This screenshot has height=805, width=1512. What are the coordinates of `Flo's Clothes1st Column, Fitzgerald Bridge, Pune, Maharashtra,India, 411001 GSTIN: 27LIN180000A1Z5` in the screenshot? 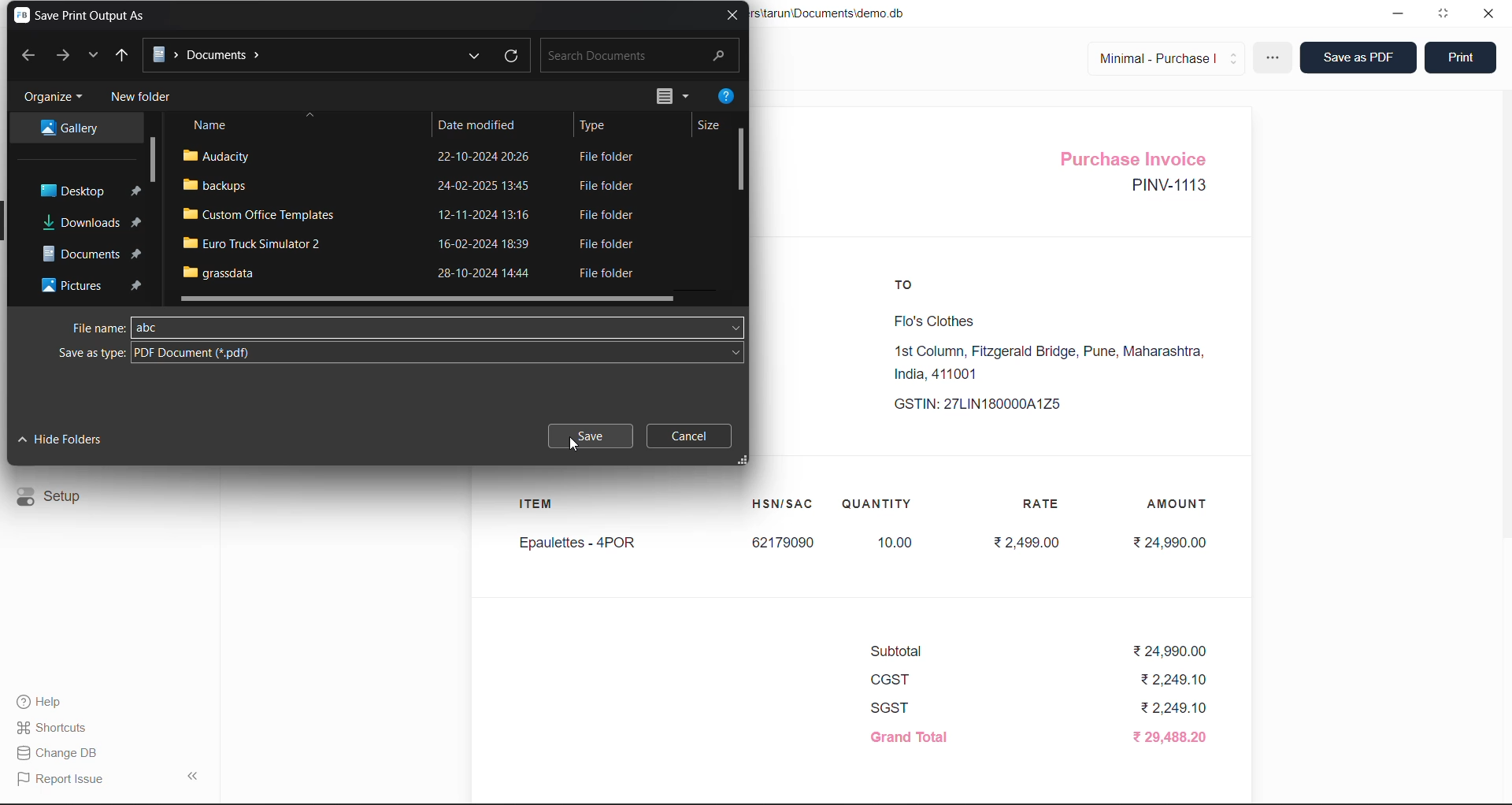 It's located at (1039, 362).